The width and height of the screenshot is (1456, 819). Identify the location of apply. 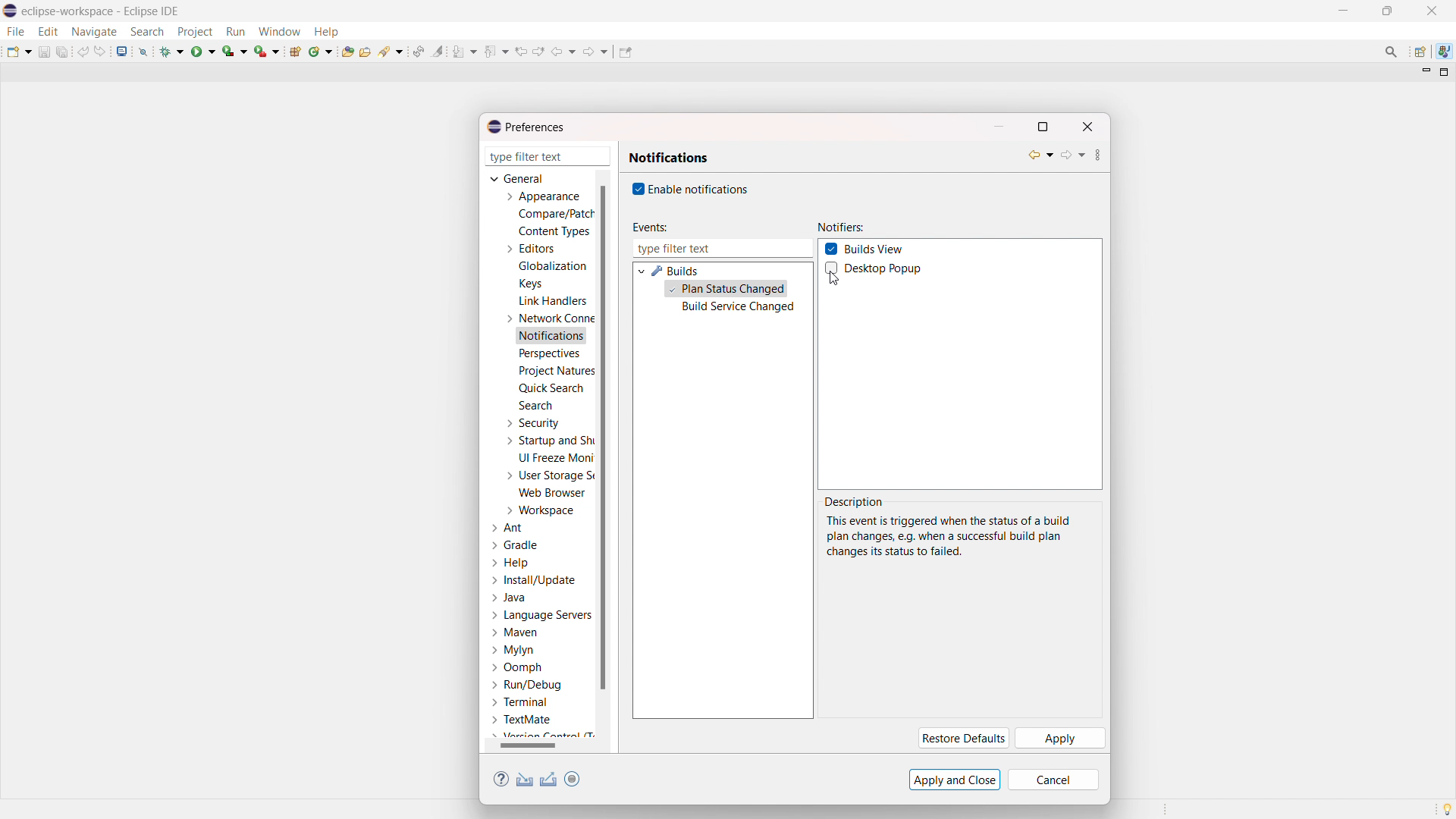
(1059, 739).